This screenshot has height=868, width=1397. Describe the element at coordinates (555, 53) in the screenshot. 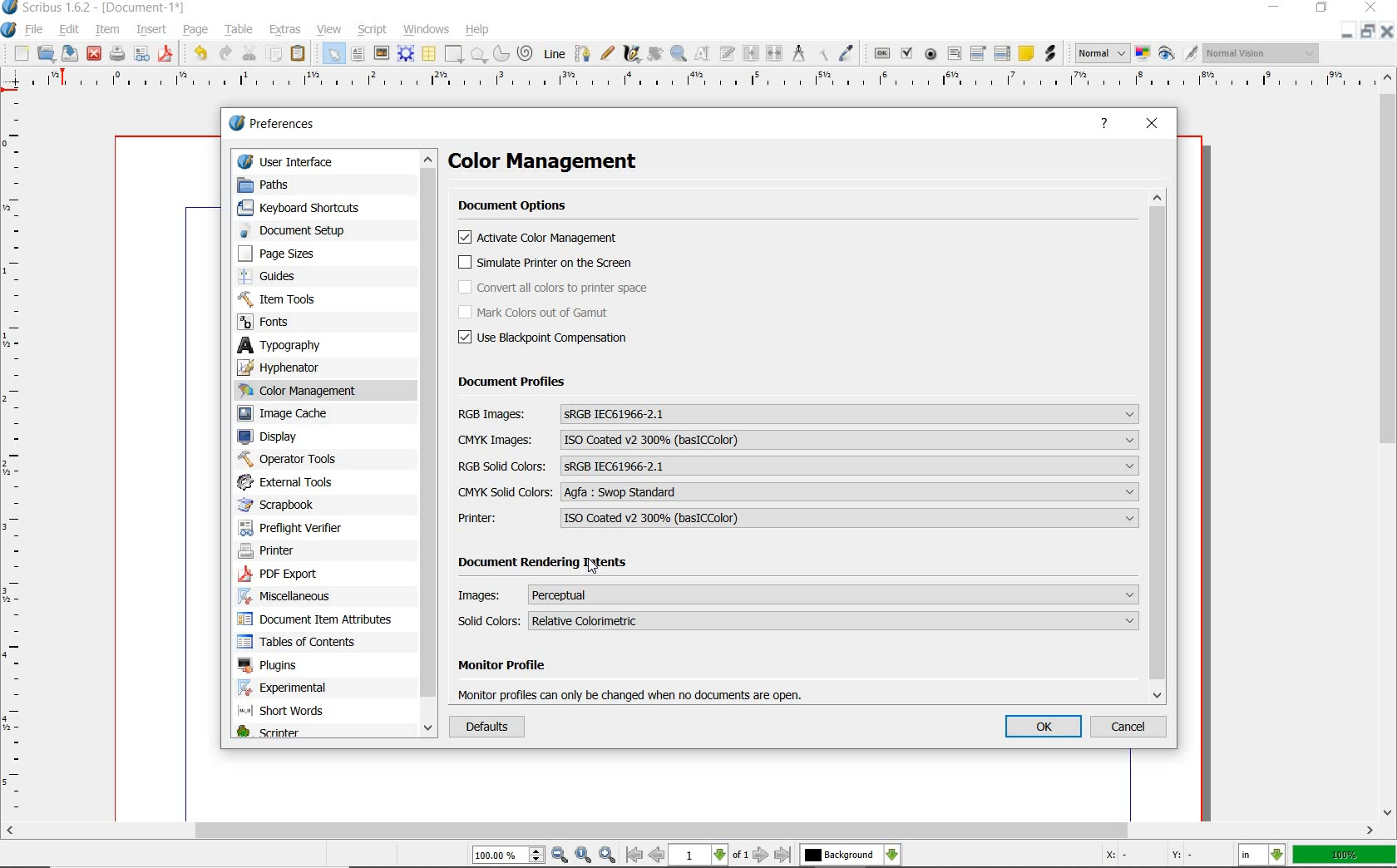

I see `line` at that location.